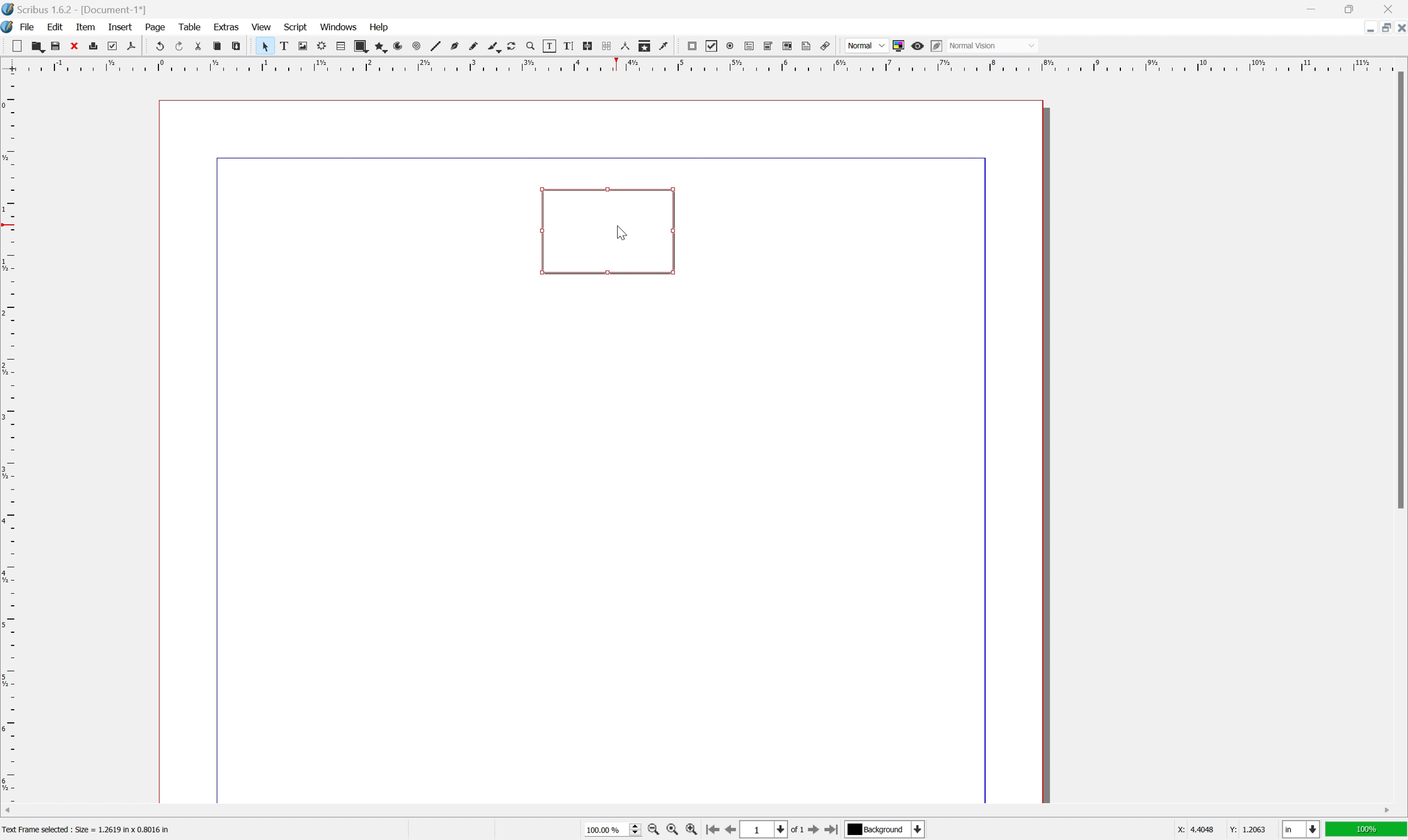  I want to click on text annotation, so click(807, 46).